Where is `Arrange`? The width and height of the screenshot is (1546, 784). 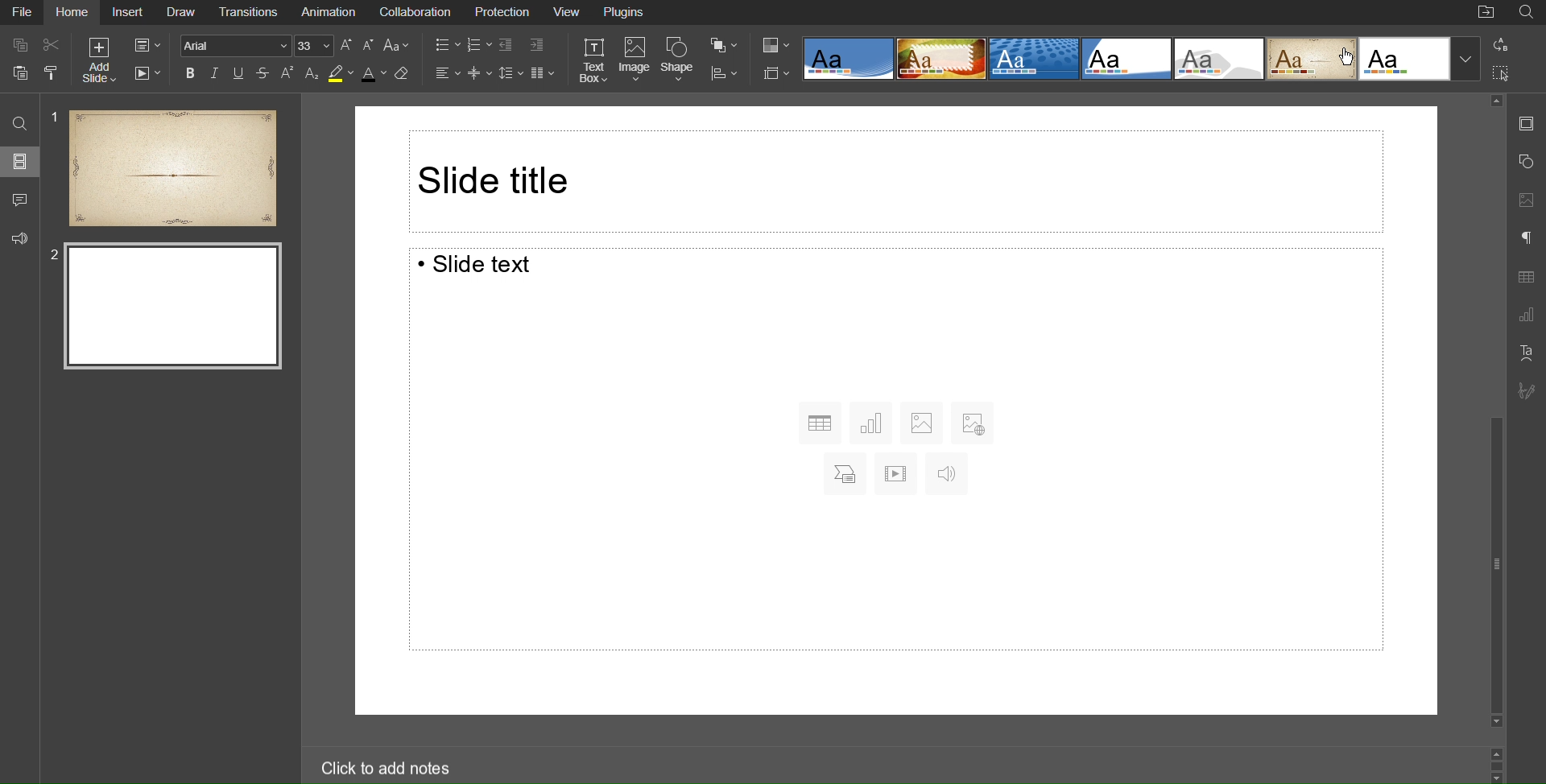
Arrange is located at coordinates (721, 45).